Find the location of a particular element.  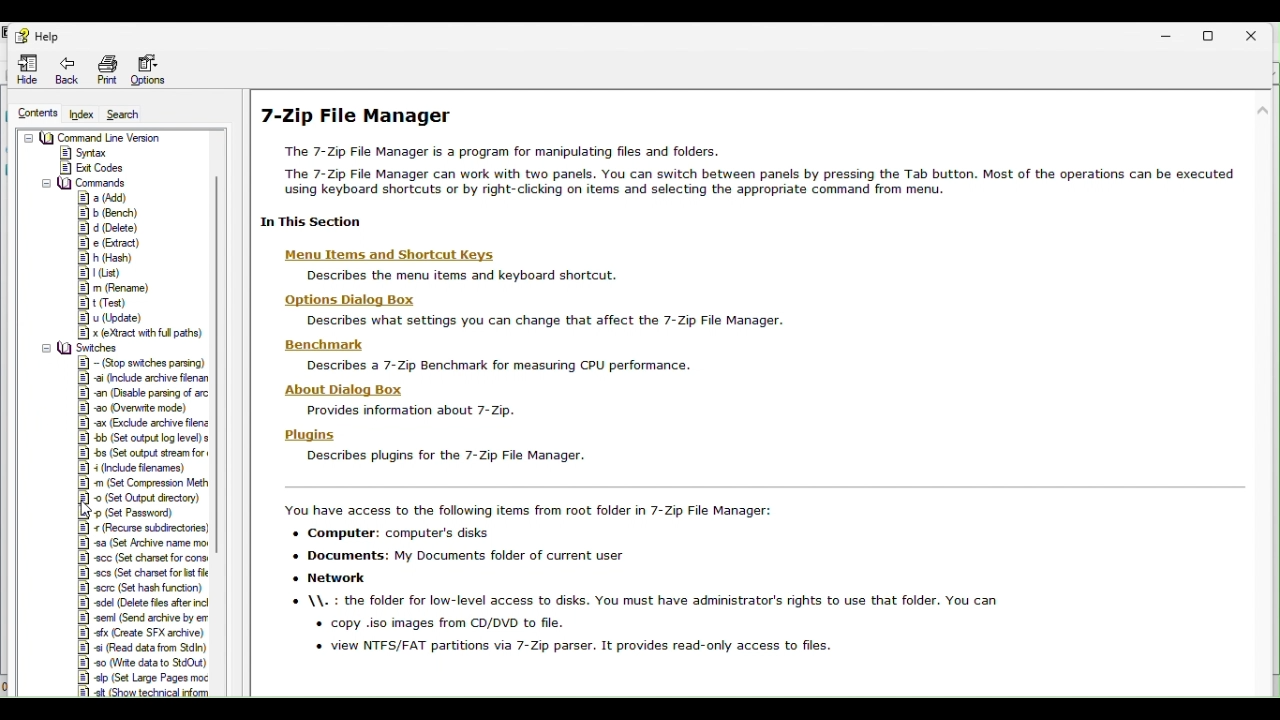

Set compression method is located at coordinates (143, 484).